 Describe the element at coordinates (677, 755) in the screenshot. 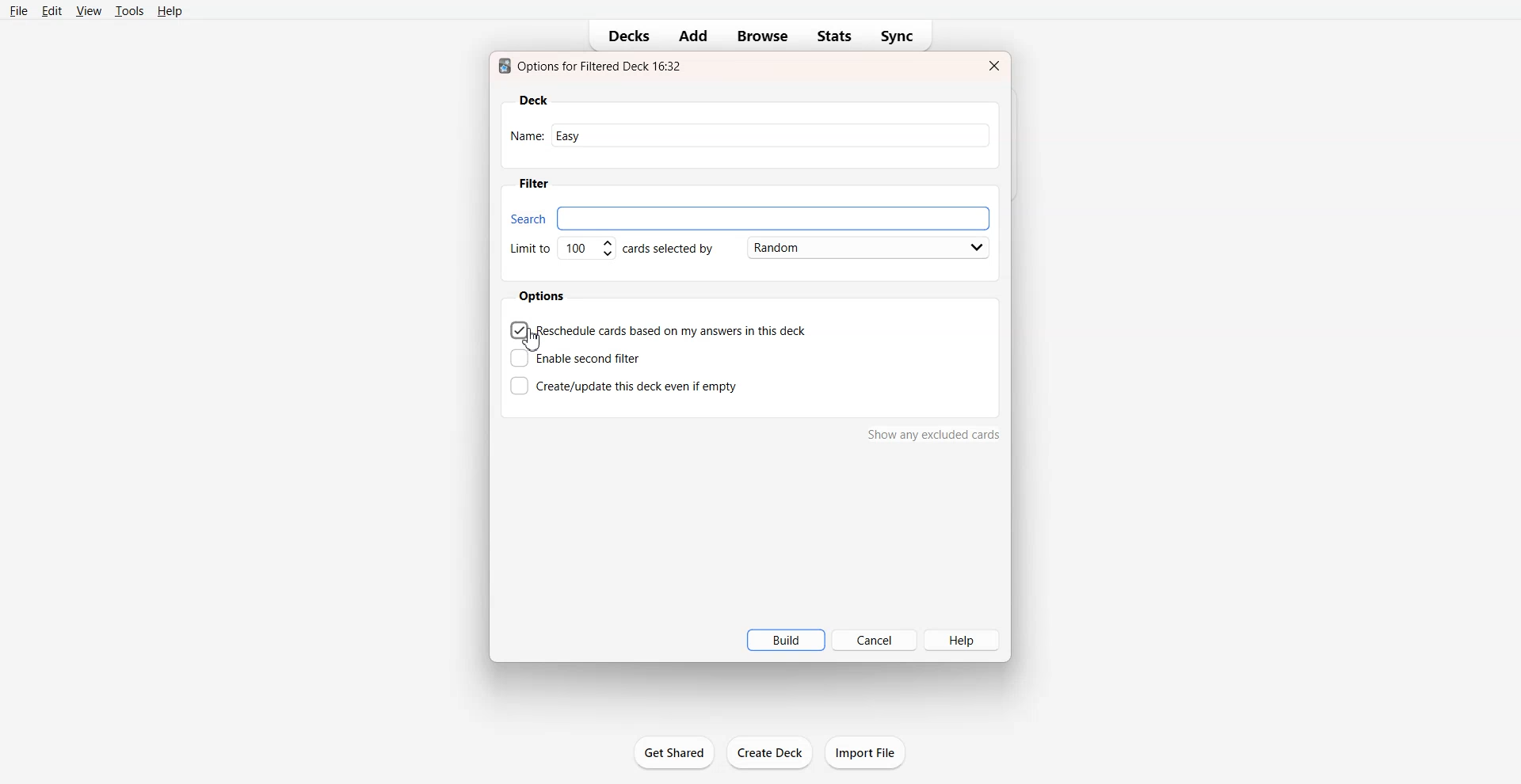

I see `get shared` at that location.